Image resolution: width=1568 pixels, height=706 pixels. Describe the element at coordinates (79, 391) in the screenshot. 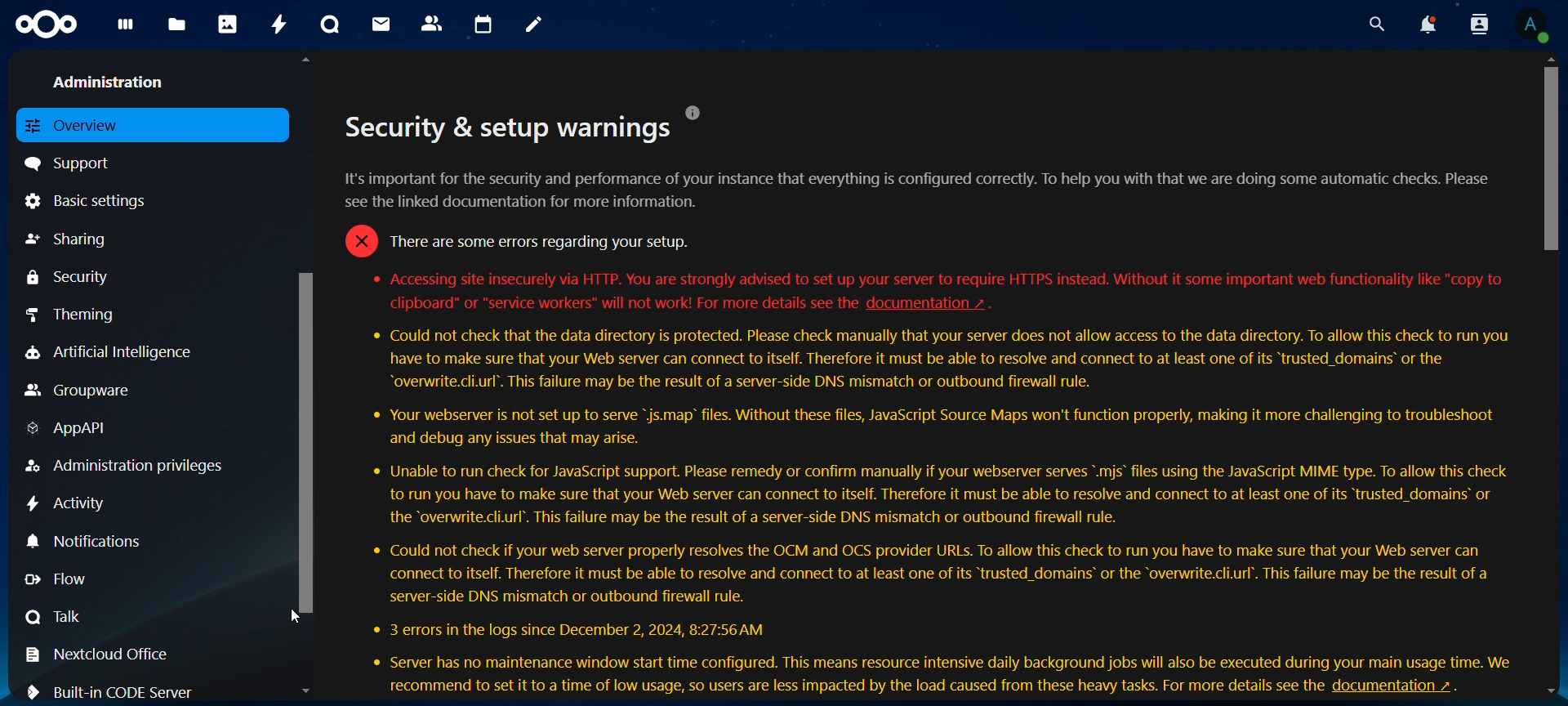

I see `groupware` at that location.